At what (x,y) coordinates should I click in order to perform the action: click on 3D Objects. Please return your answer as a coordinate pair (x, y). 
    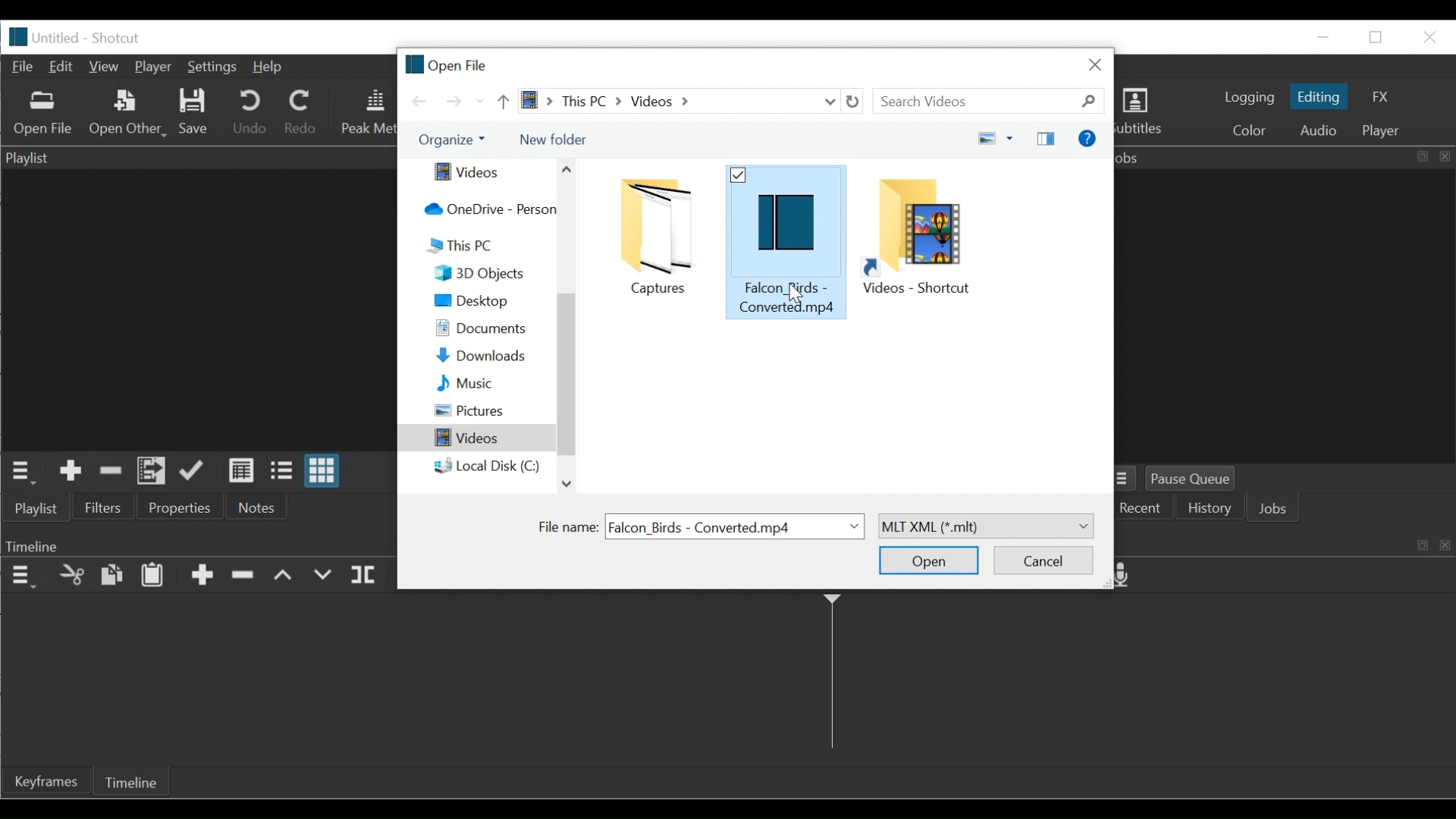
    Looking at the image, I should click on (492, 273).